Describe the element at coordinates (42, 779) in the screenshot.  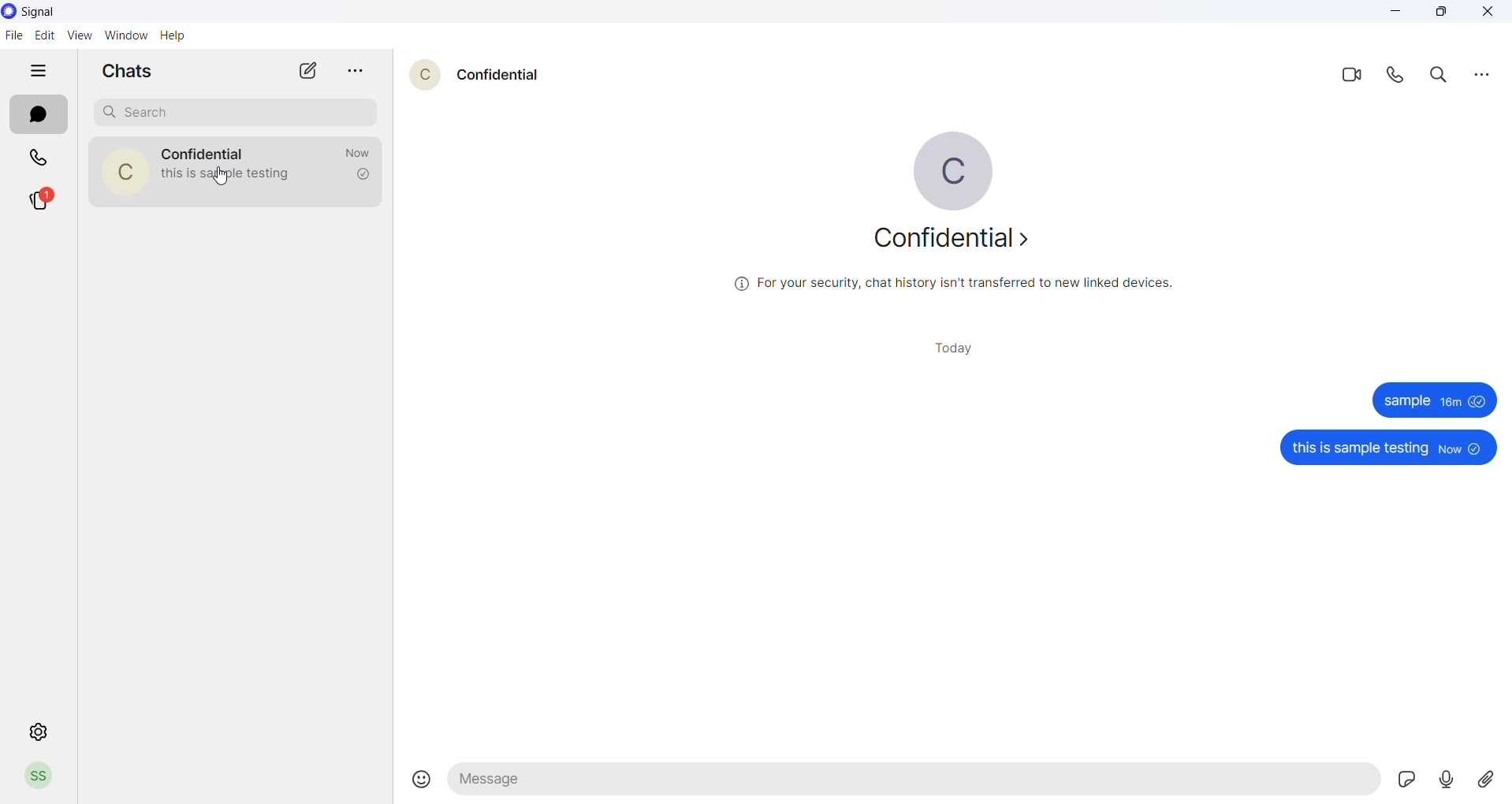
I see `profile` at that location.